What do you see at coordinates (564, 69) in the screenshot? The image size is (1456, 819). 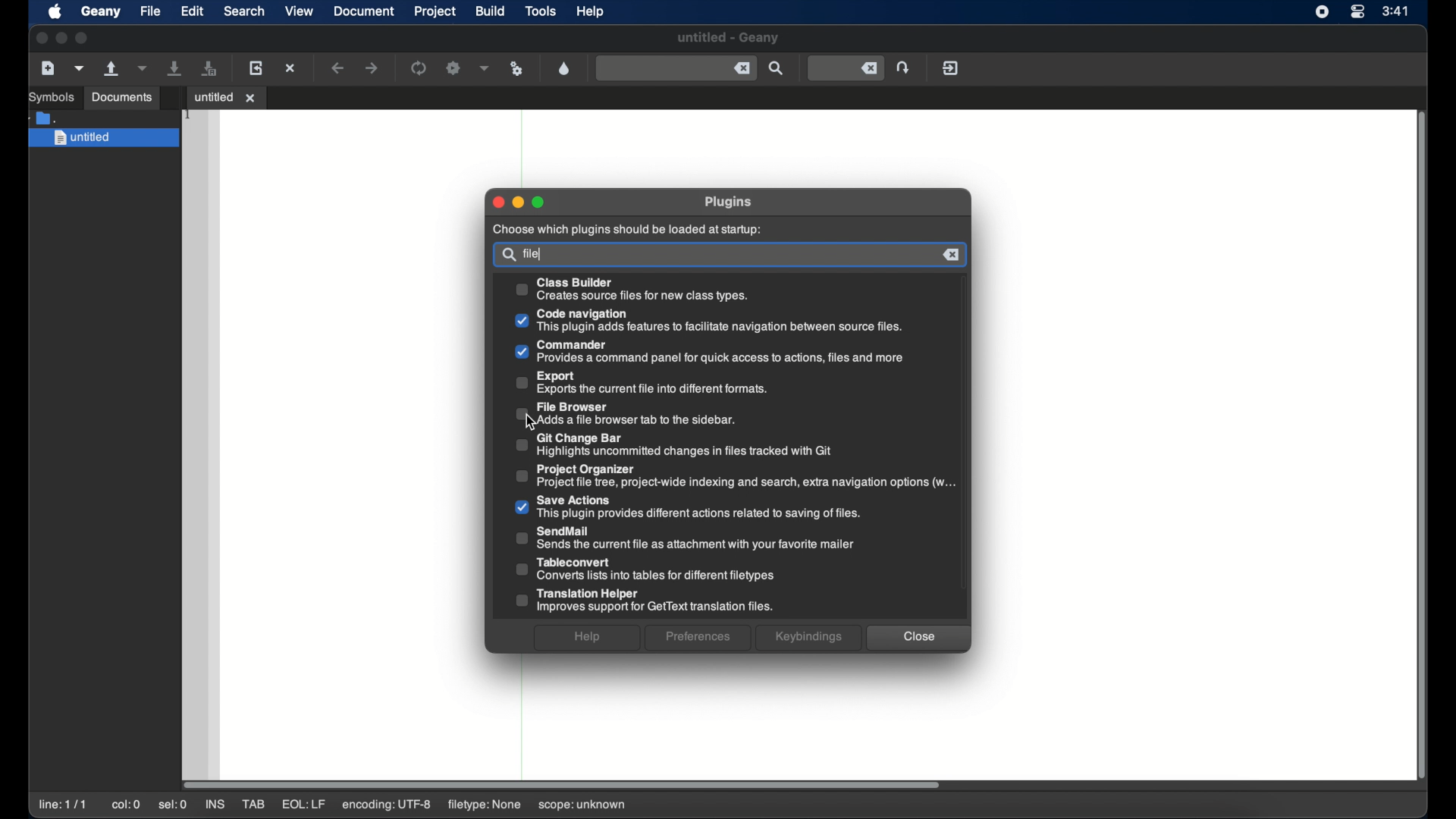 I see `open color chooser dialog` at bounding box center [564, 69].